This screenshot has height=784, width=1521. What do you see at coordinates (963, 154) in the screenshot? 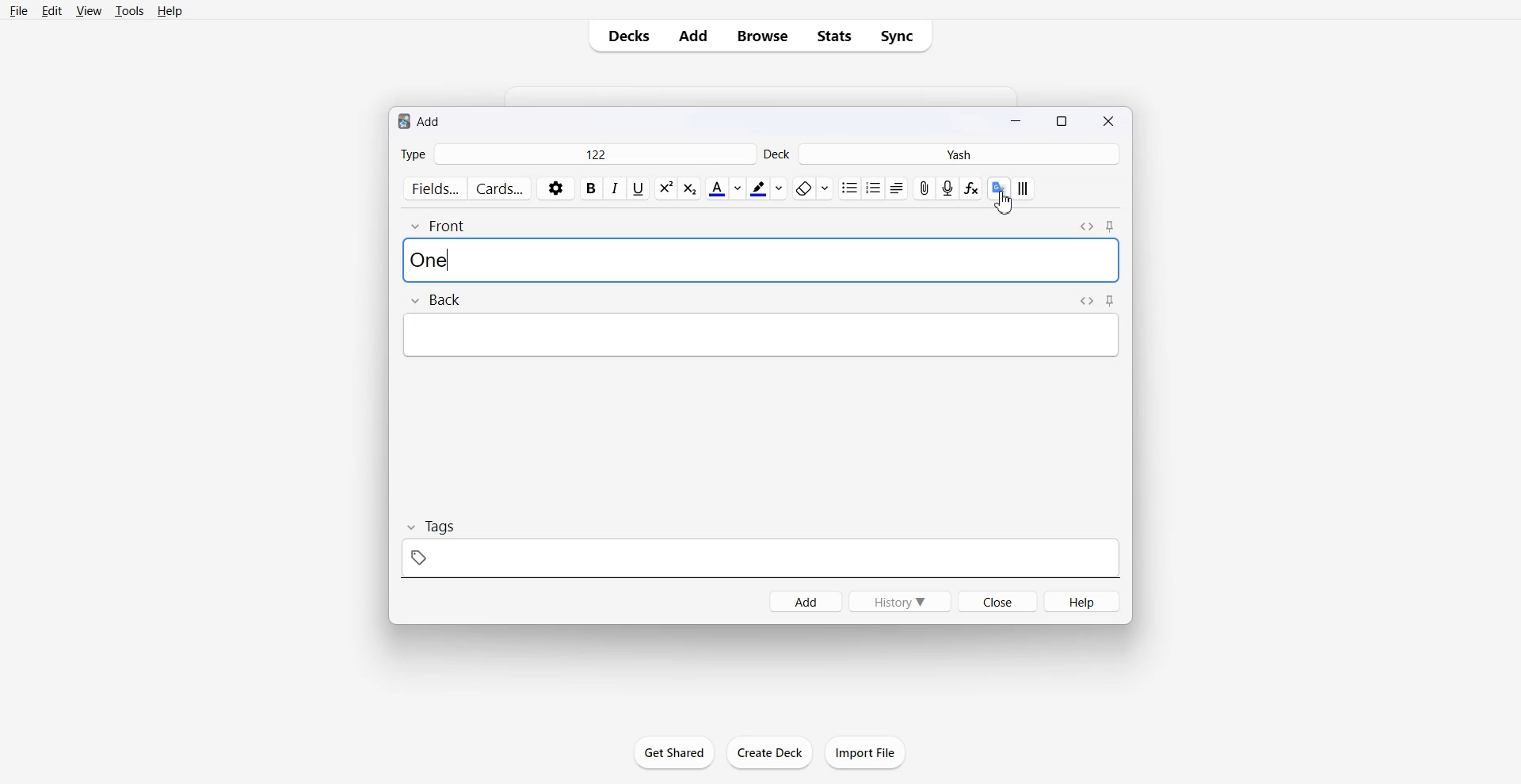
I see `Yash` at bounding box center [963, 154].